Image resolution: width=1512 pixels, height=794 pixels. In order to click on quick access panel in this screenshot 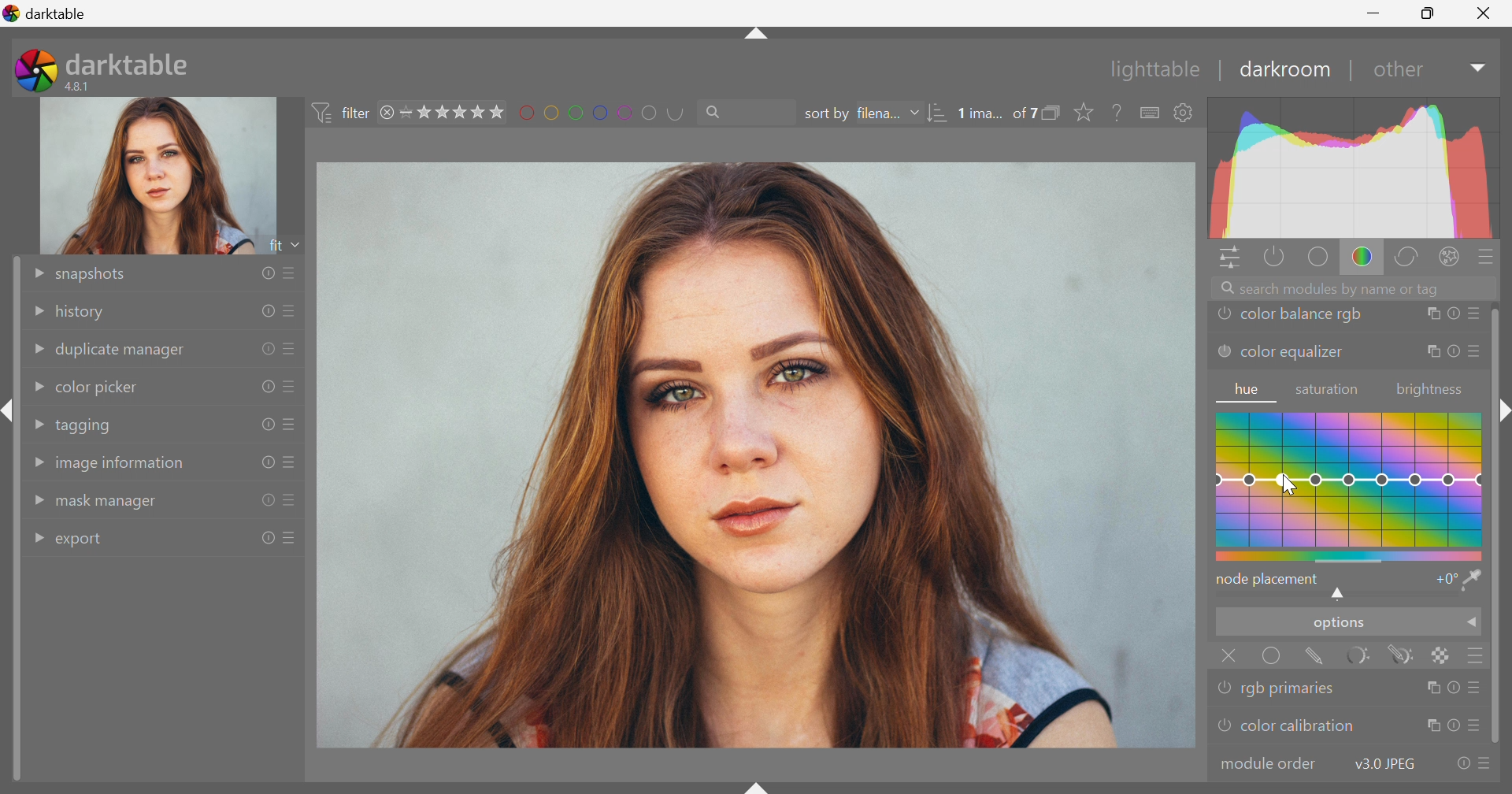, I will do `click(1226, 258)`.